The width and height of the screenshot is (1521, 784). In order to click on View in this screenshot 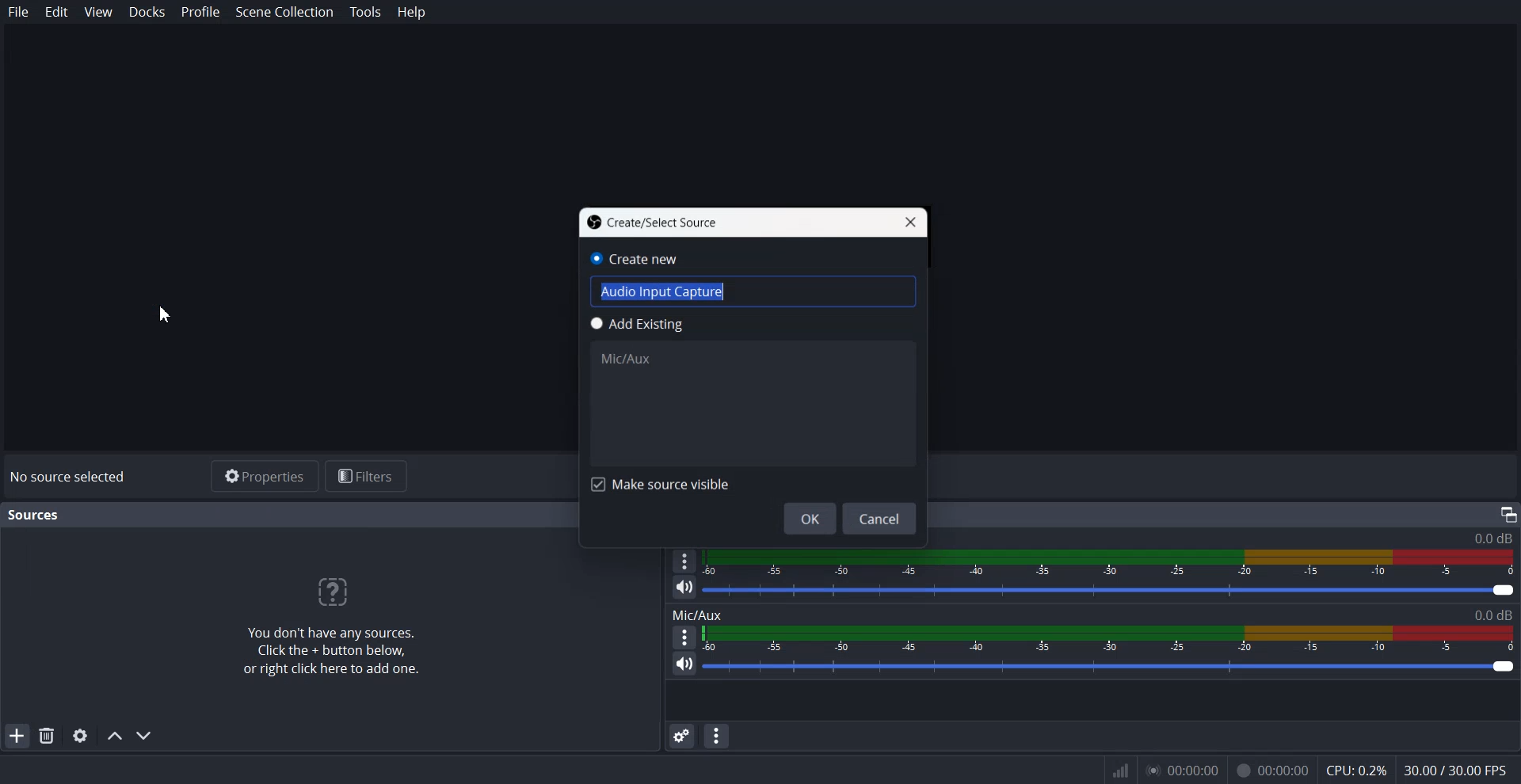, I will do `click(97, 11)`.